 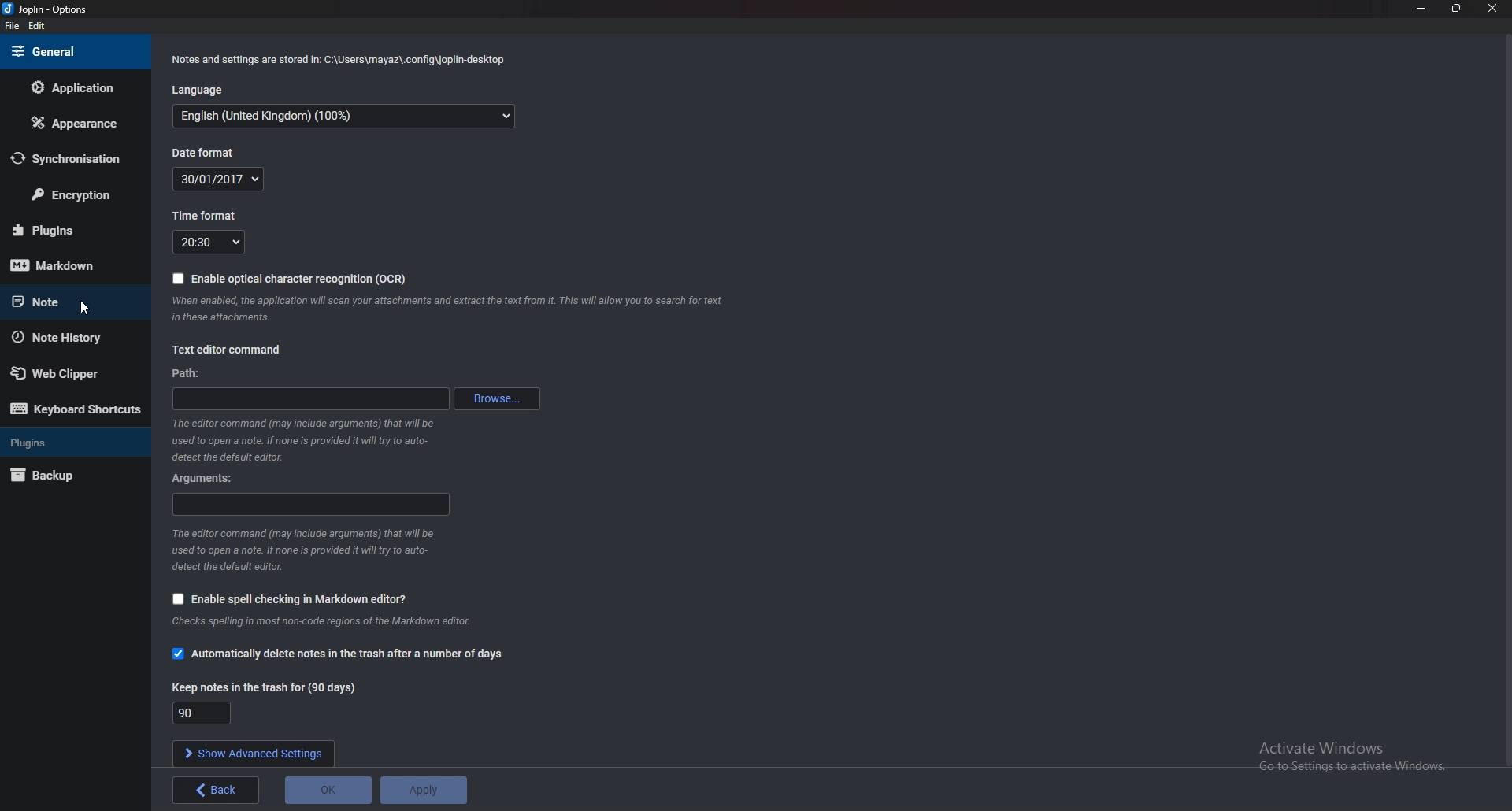 I want to click on bocisuad mmsains dust-hn | omcantrataisbe tre Aton Catach ciate aurato eae cingadesdisanduaadng aca + aan doc ssh ane in these attachments., so click(x=446, y=309).